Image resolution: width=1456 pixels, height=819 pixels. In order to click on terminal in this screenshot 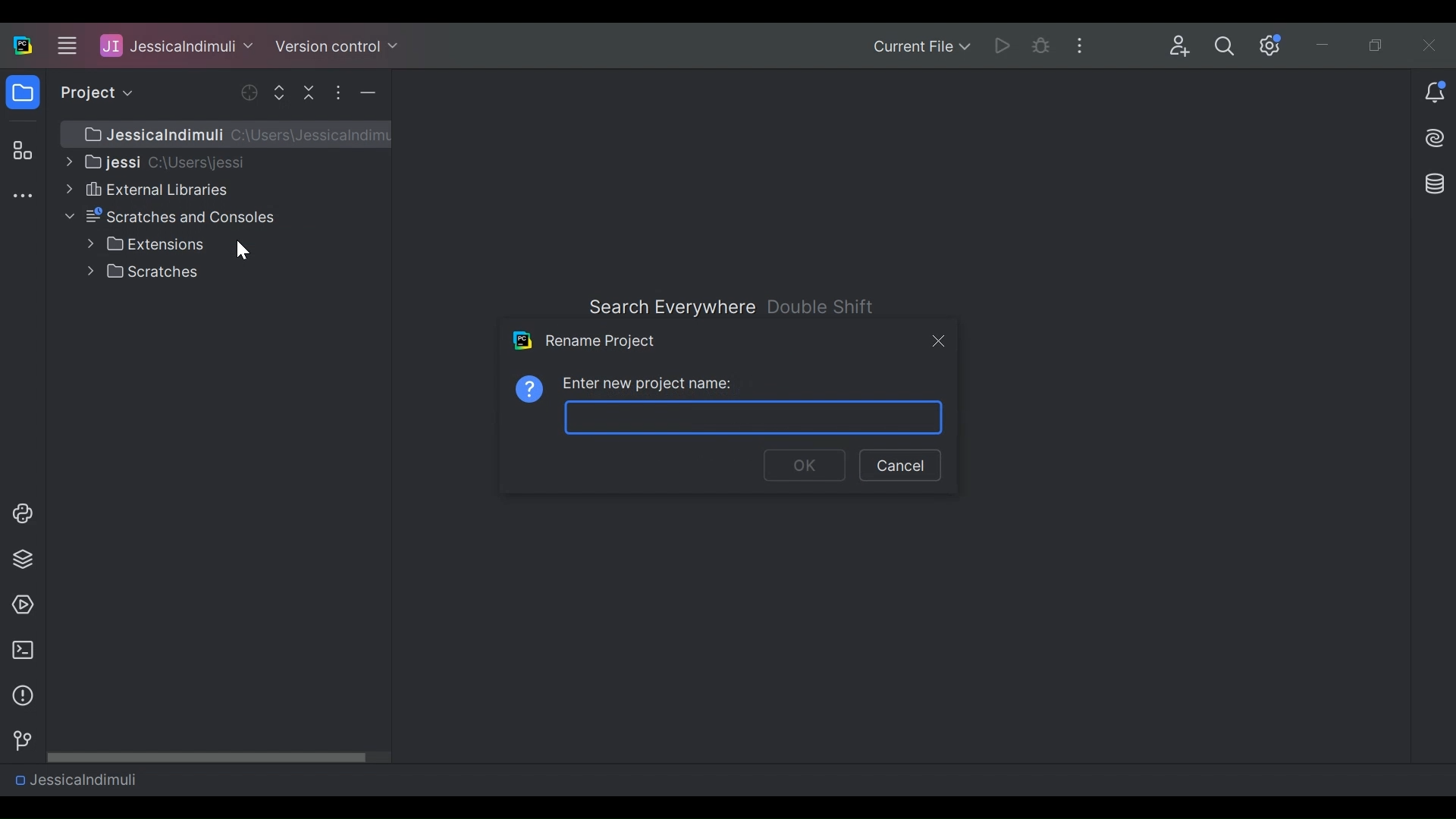, I will do `click(18, 651)`.